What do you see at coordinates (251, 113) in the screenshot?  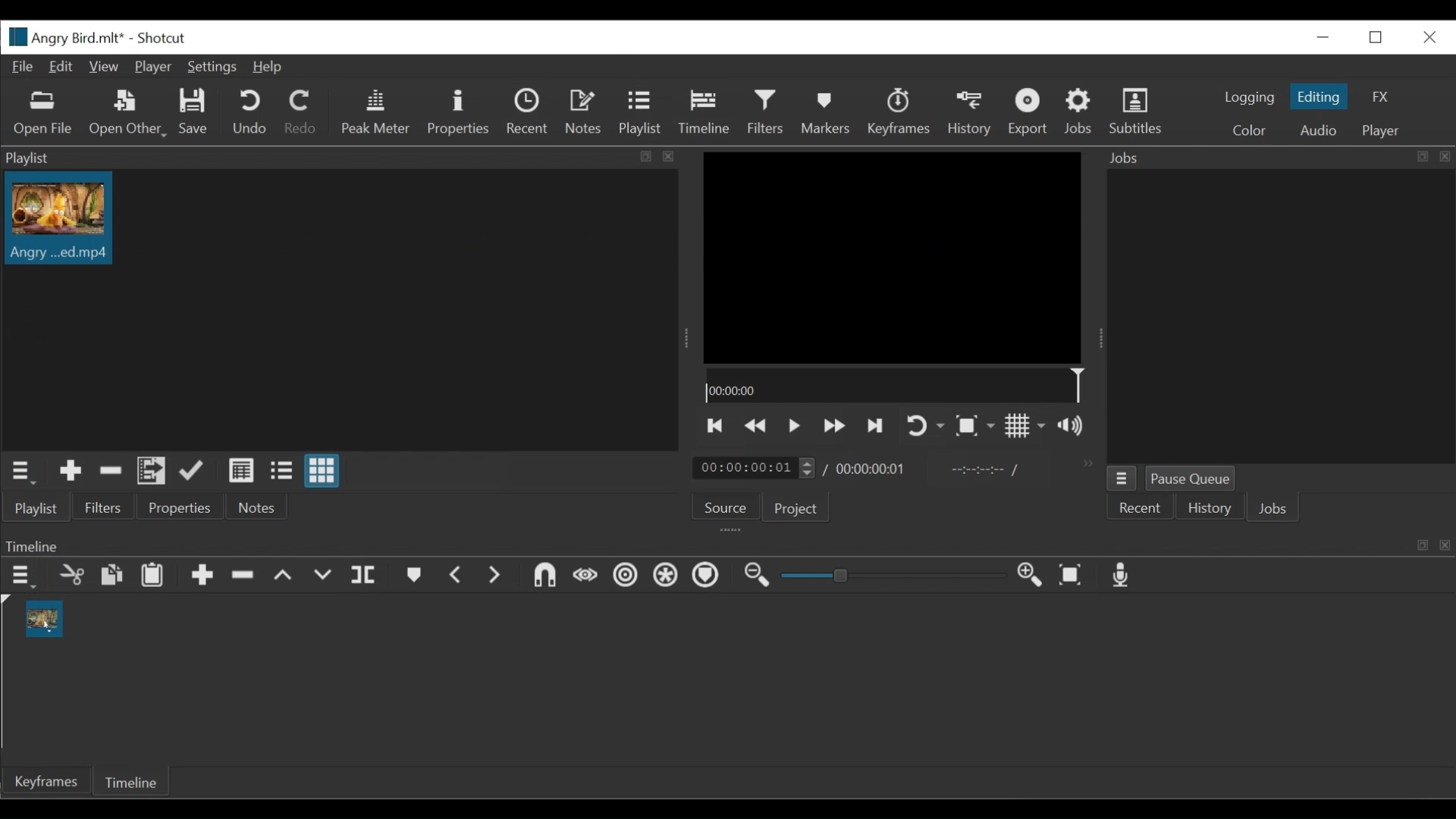 I see `Undo` at bounding box center [251, 113].